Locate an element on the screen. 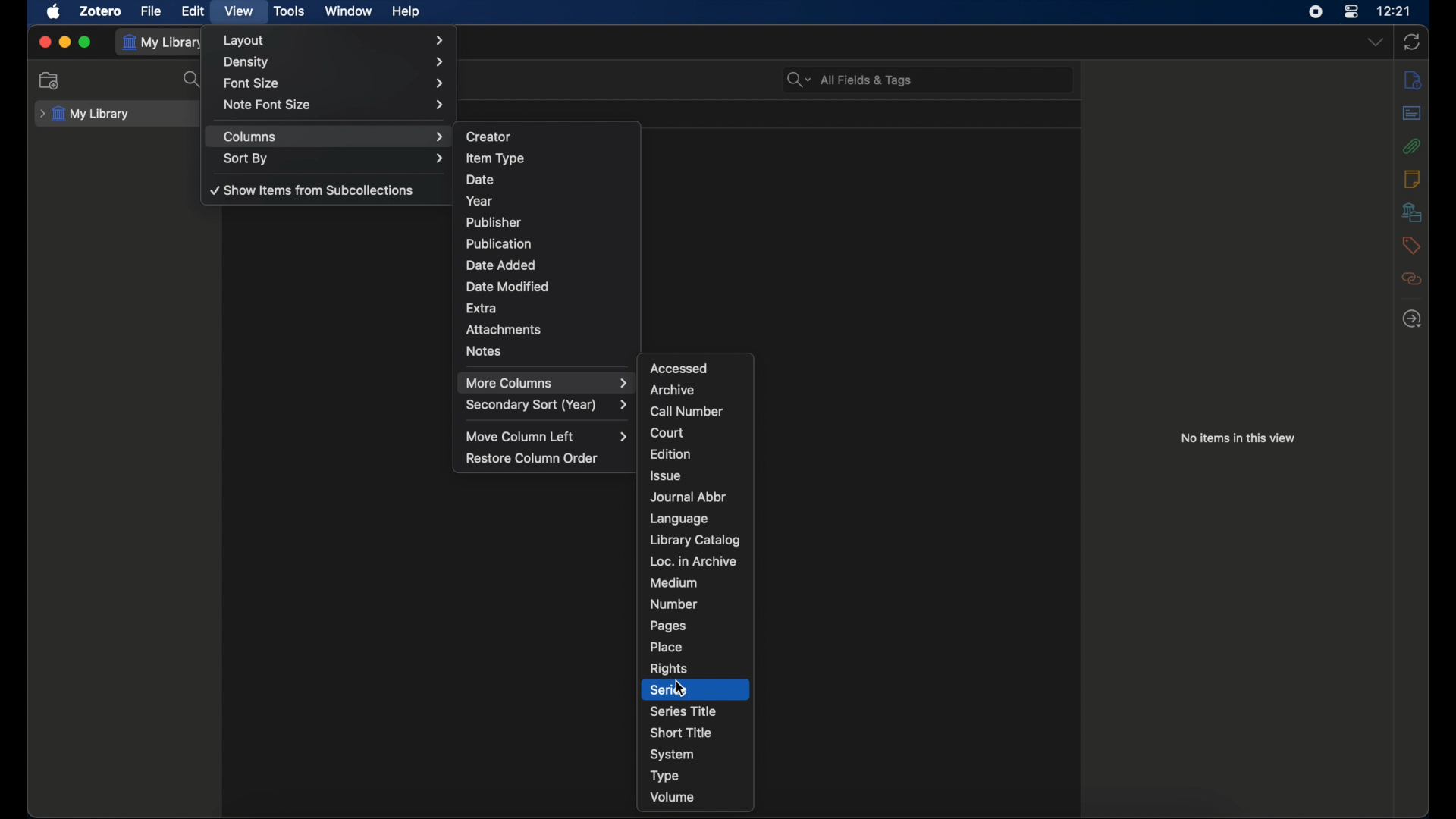 Image resolution: width=1456 pixels, height=819 pixels. publisher is located at coordinates (494, 222).